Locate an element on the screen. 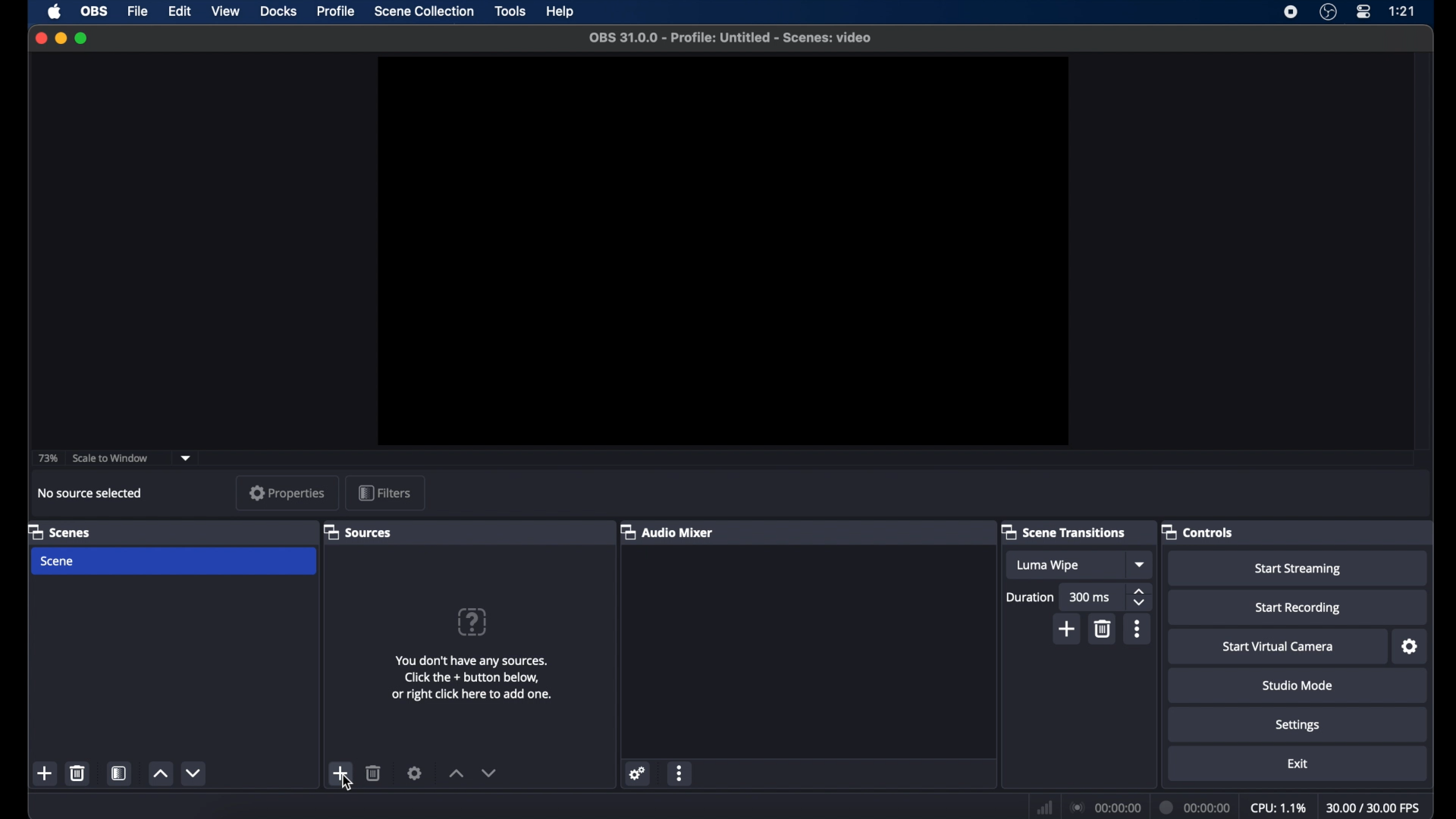  73% is located at coordinates (47, 457).